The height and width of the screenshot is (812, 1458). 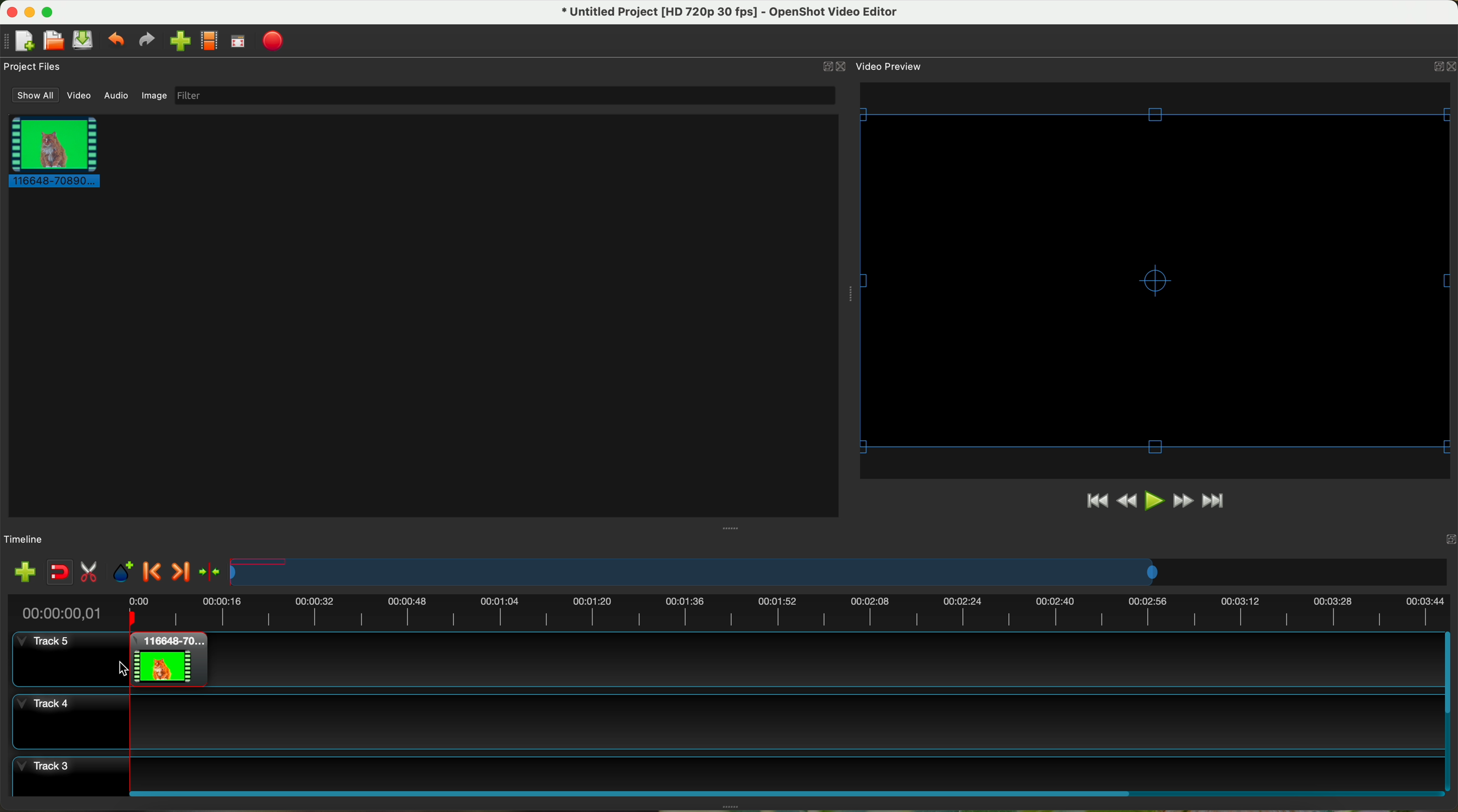 What do you see at coordinates (24, 573) in the screenshot?
I see `import files` at bounding box center [24, 573].